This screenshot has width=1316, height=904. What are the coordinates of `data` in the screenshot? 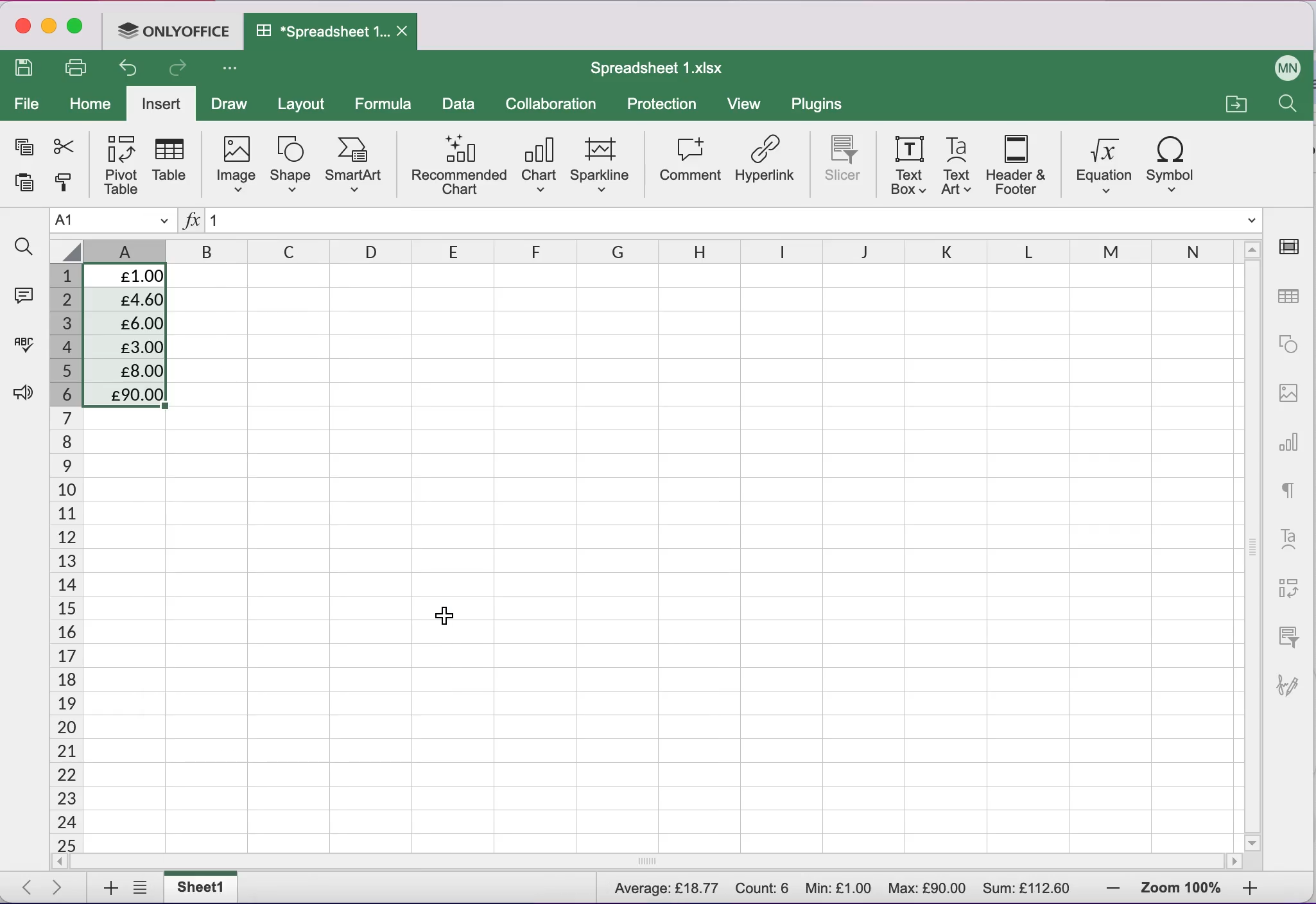 It's located at (460, 105).